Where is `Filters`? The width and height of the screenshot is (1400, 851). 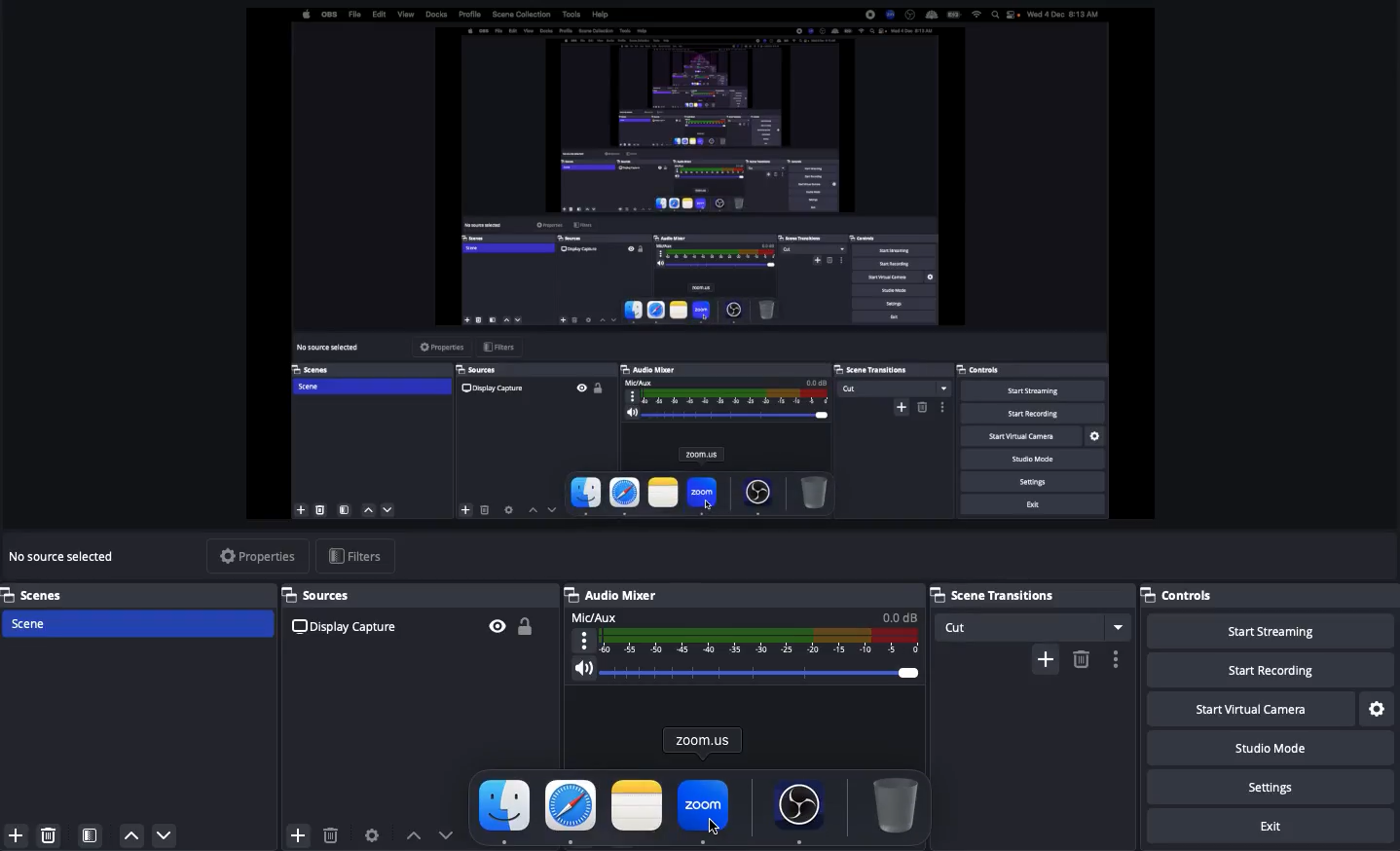 Filters is located at coordinates (357, 557).